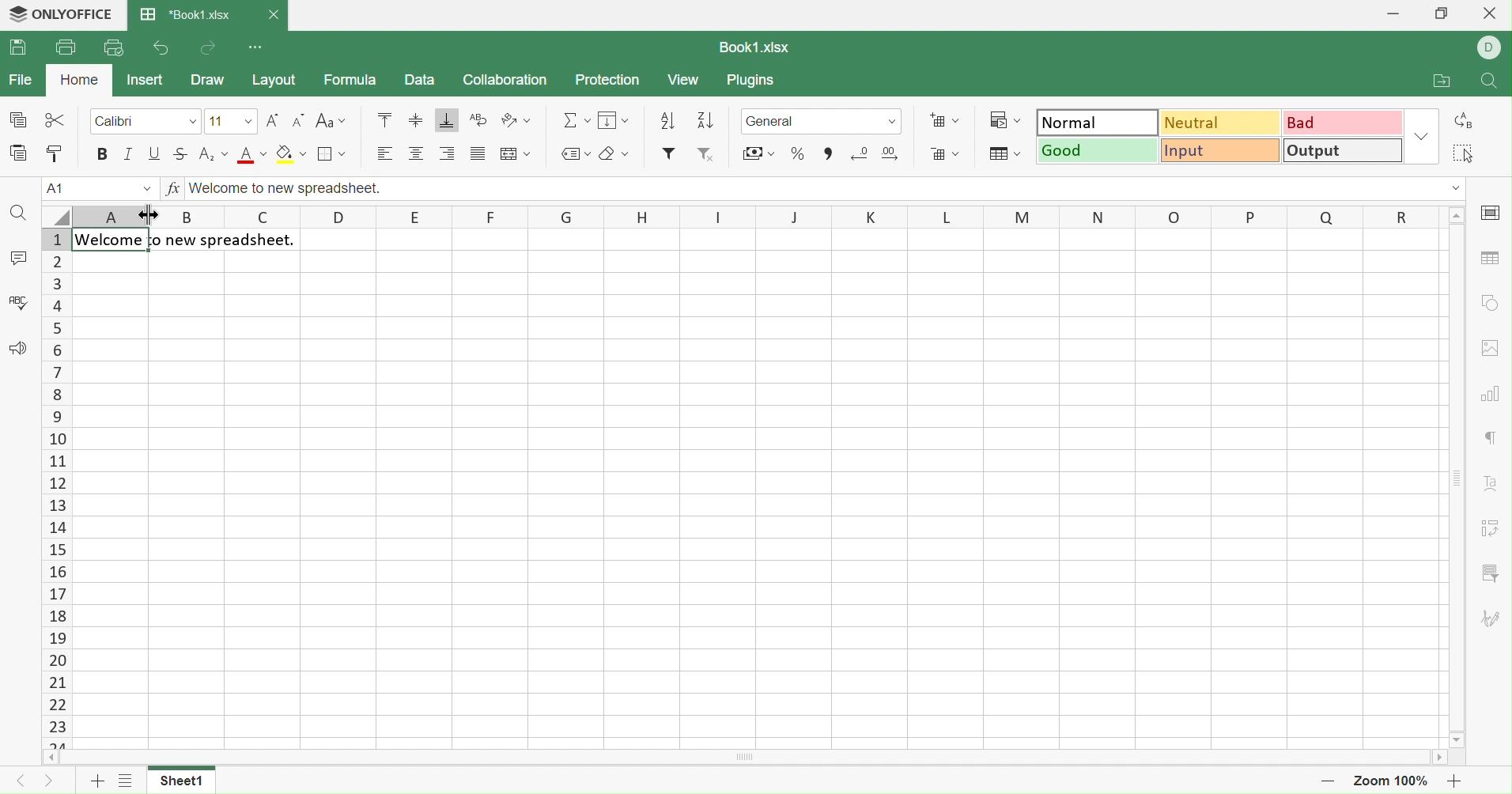  What do you see at coordinates (1004, 119) in the screenshot?
I see `Conditional formatting` at bounding box center [1004, 119].